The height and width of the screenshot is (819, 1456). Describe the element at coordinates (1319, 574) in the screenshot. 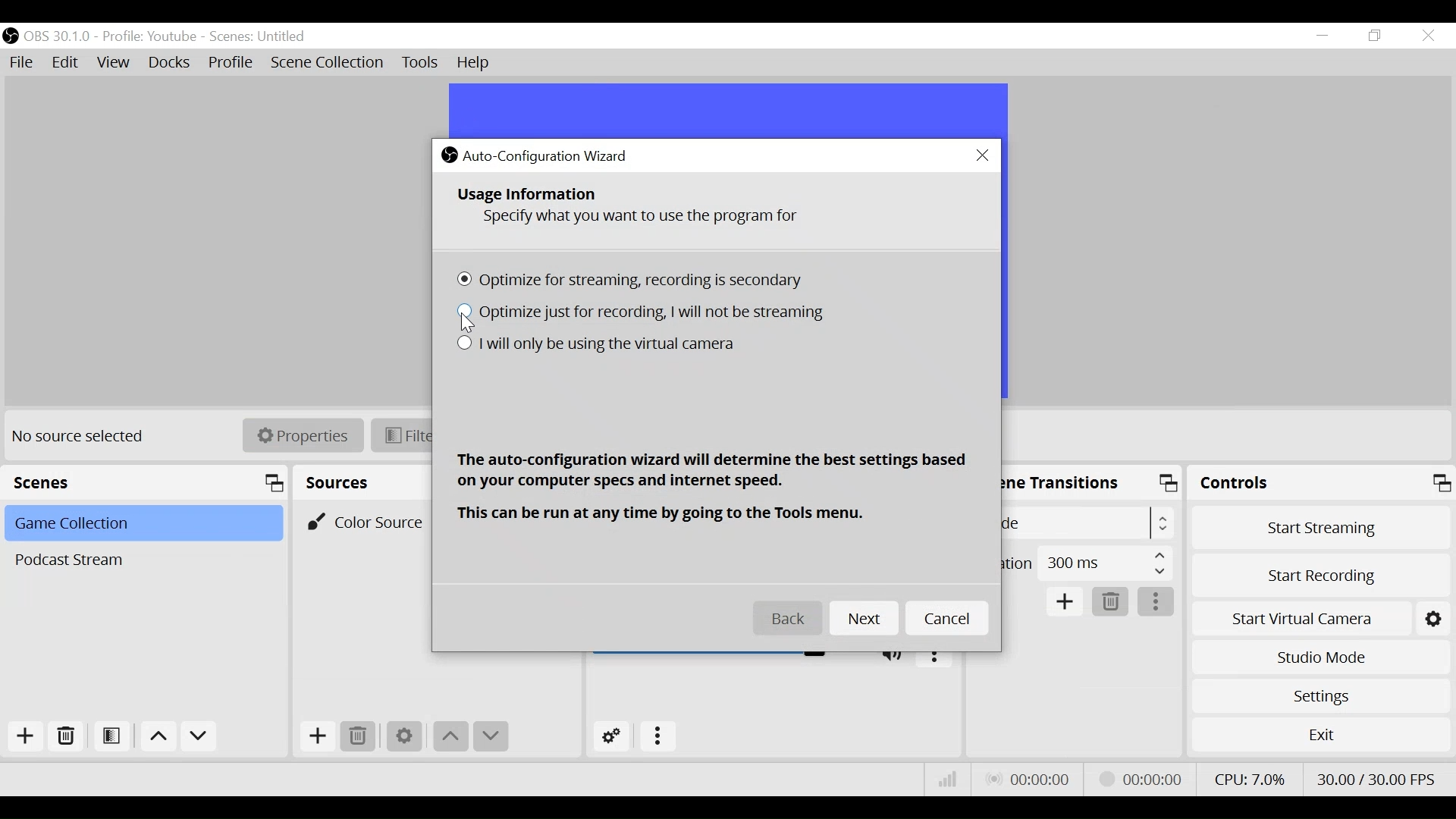

I see `Start Recording` at that location.